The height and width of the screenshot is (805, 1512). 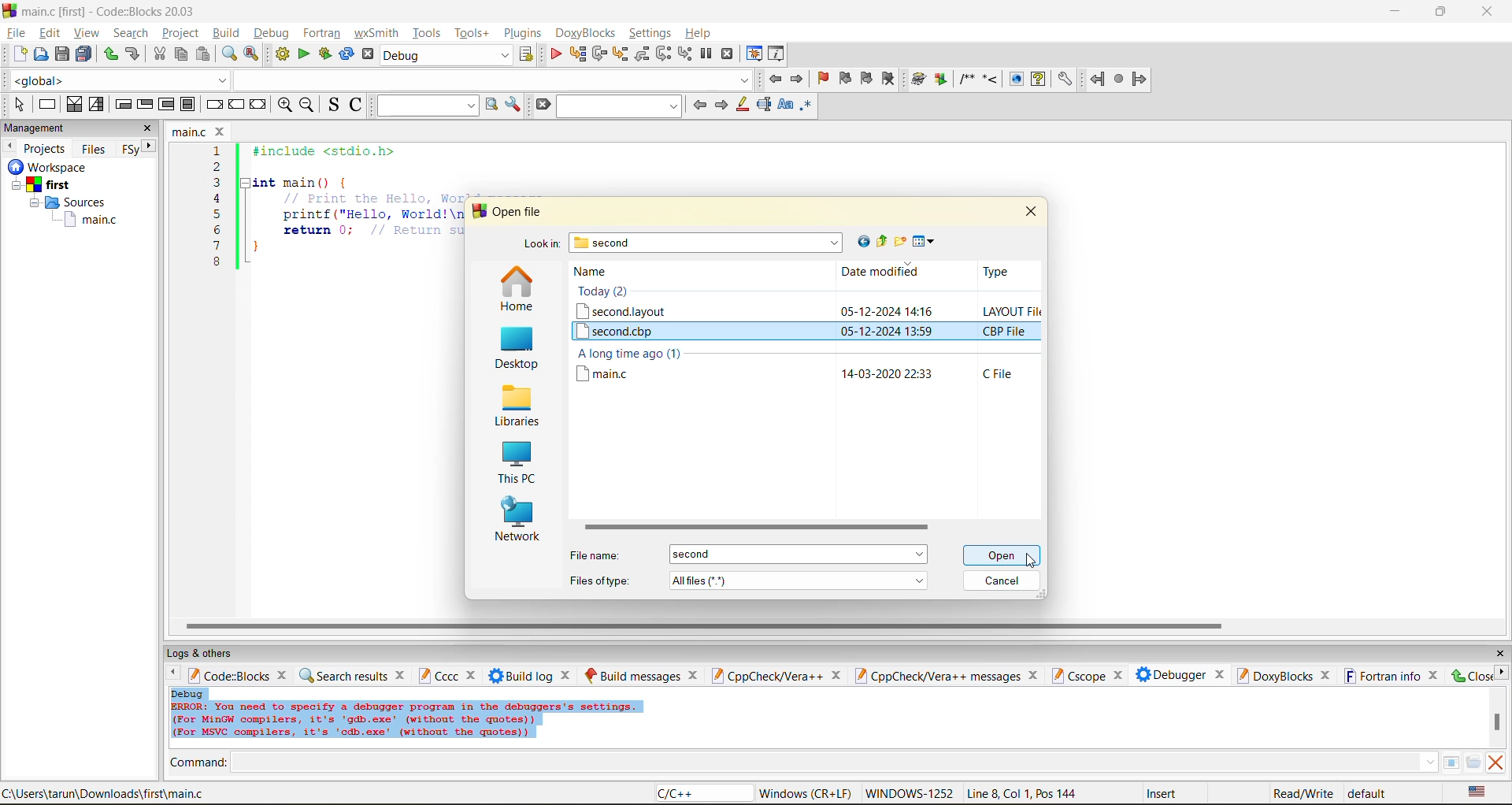 What do you see at coordinates (799, 78) in the screenshot?
I see `jump forward` at bounding box center [799, 78].